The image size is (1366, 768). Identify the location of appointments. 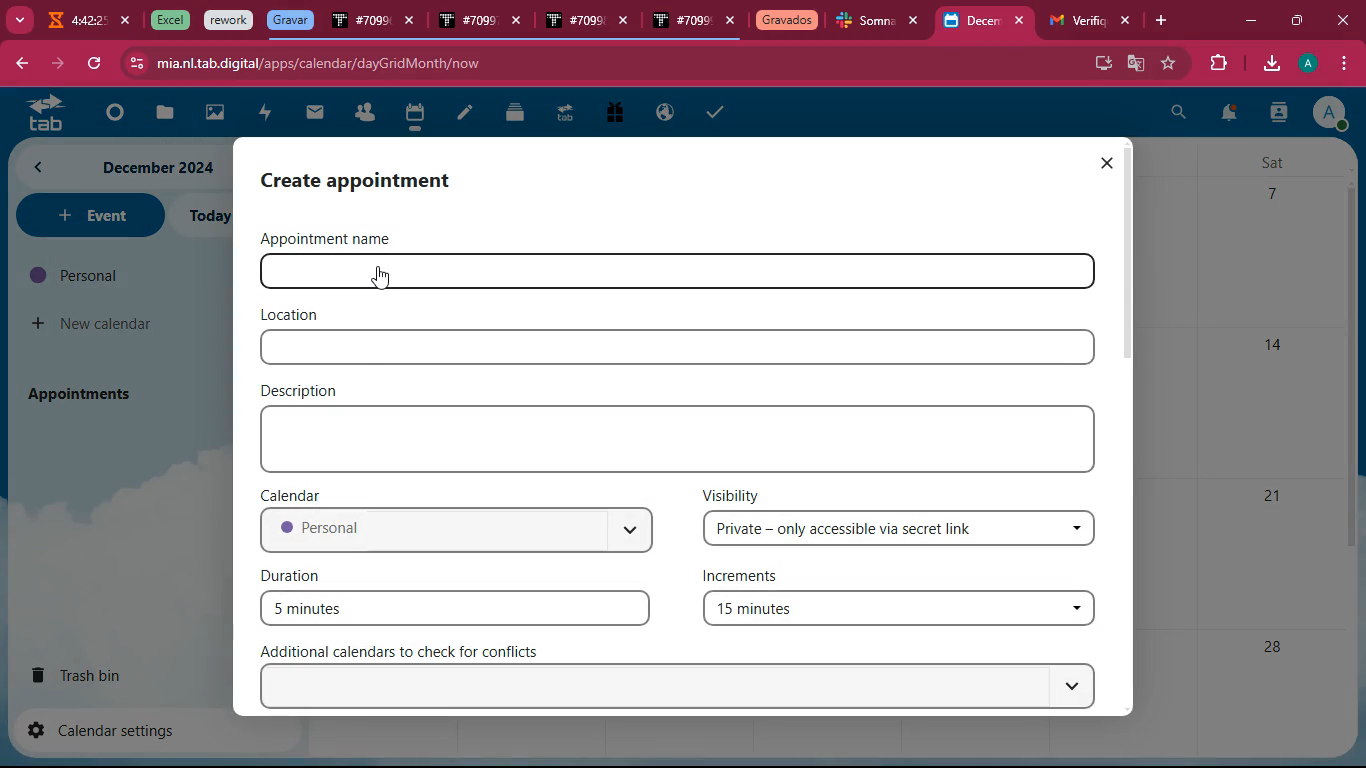
(86, 393).